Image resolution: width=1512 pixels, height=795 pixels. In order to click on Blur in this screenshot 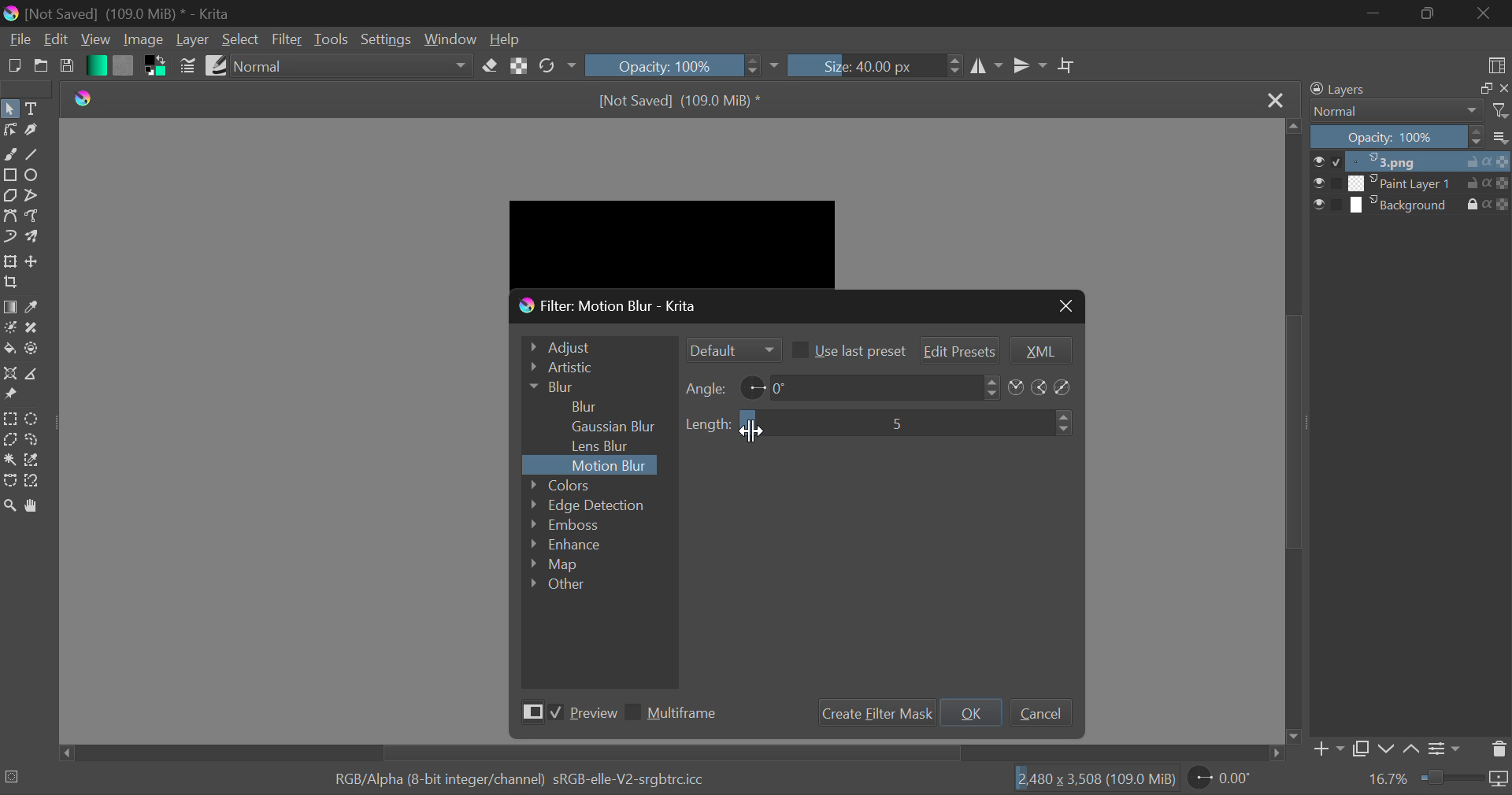, I will do `click(595, 386)`.